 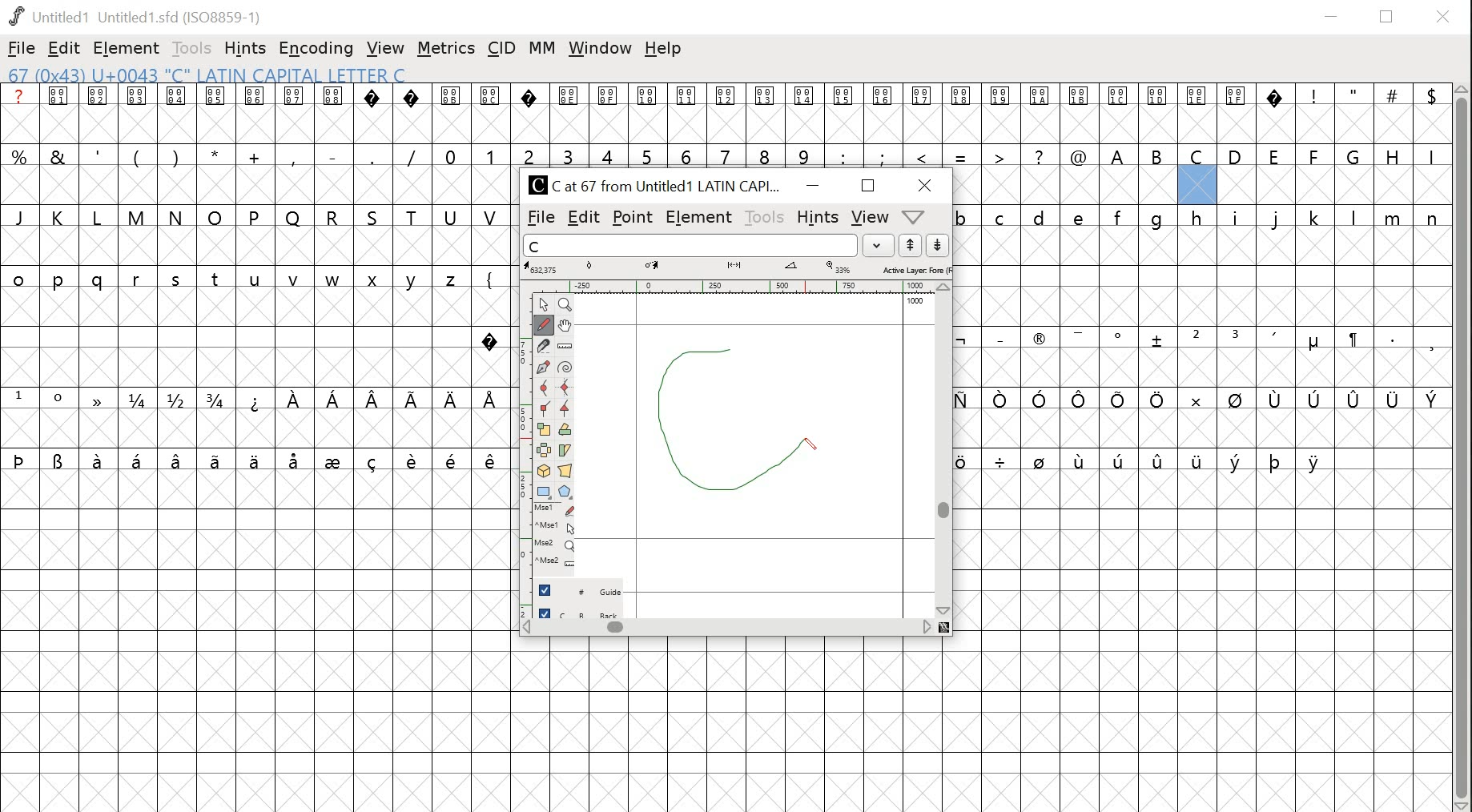 What do you see at coordinates (567, 368) in the screenshot?
I see `spiro` at bounding box center [567, 368].